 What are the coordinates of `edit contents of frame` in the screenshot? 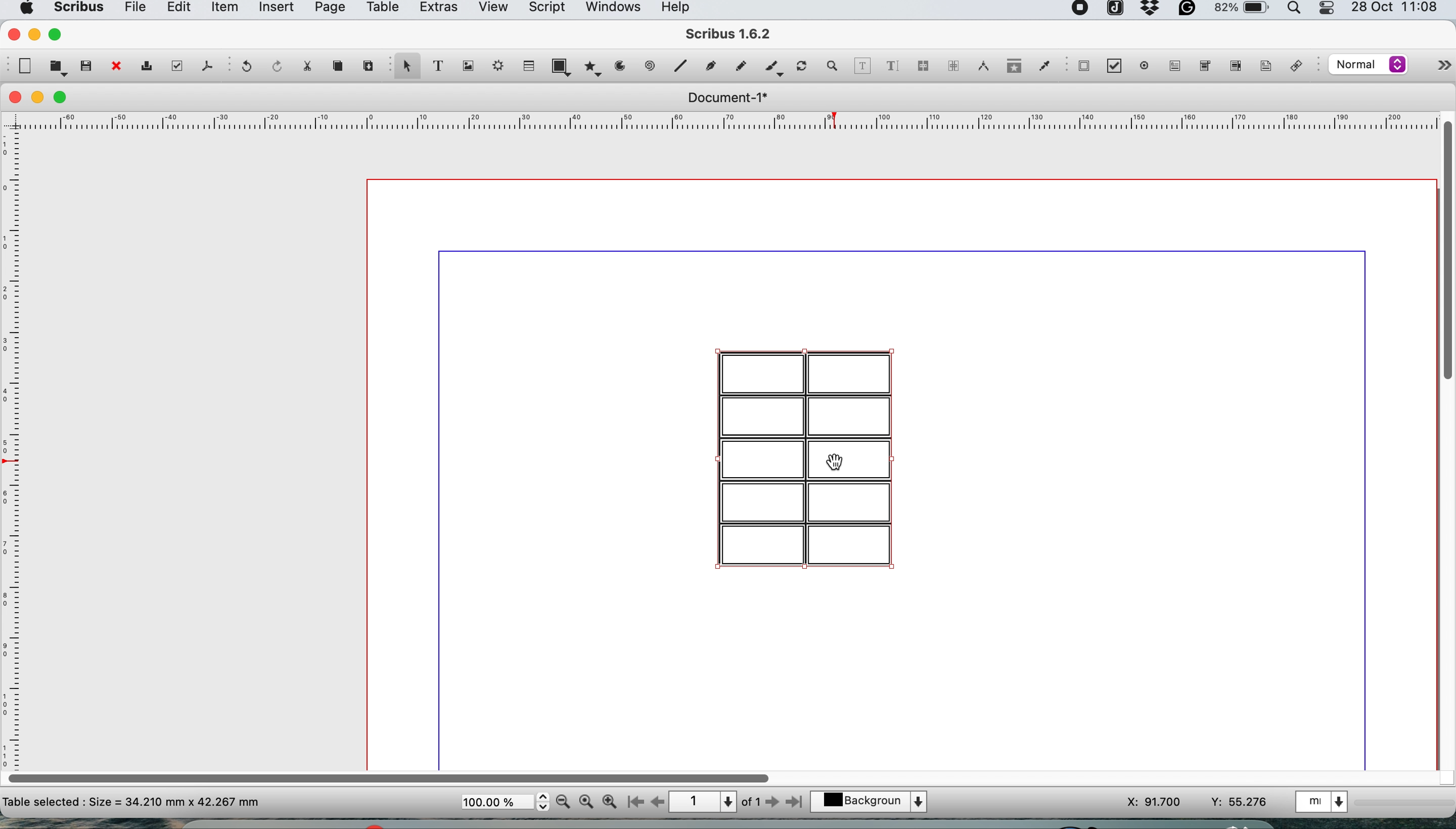 It's located at (862, 65).